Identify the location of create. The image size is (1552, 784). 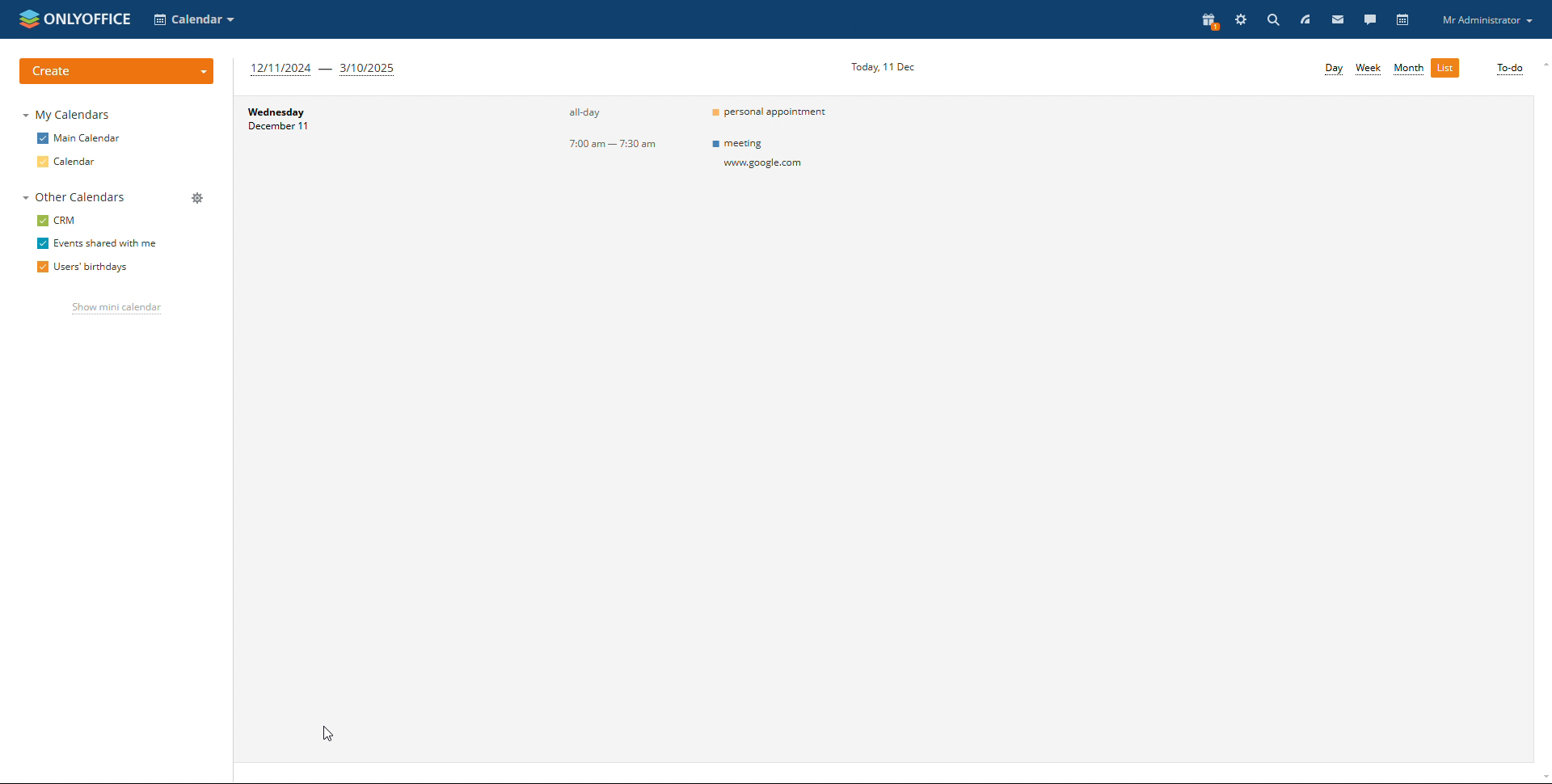
(116, 72).